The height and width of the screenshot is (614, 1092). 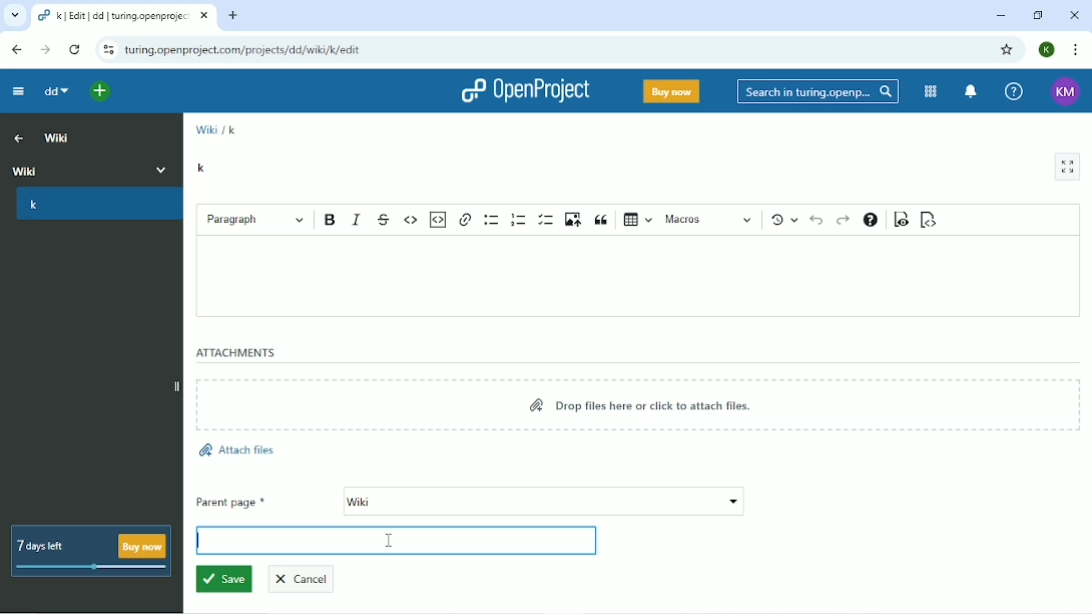 I want to click on turing. openproject.com/projects/dd/wiki/K/edit, so click(x=250, y=53).